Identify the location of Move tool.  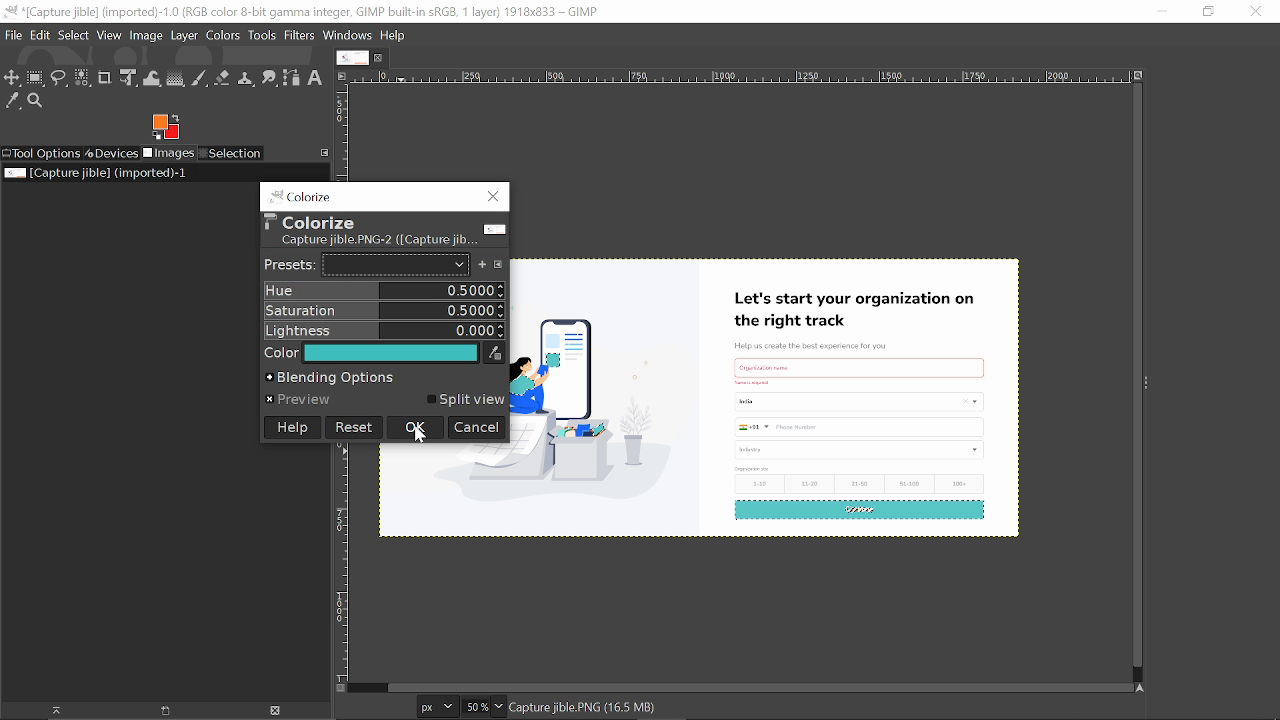
(12, 79).